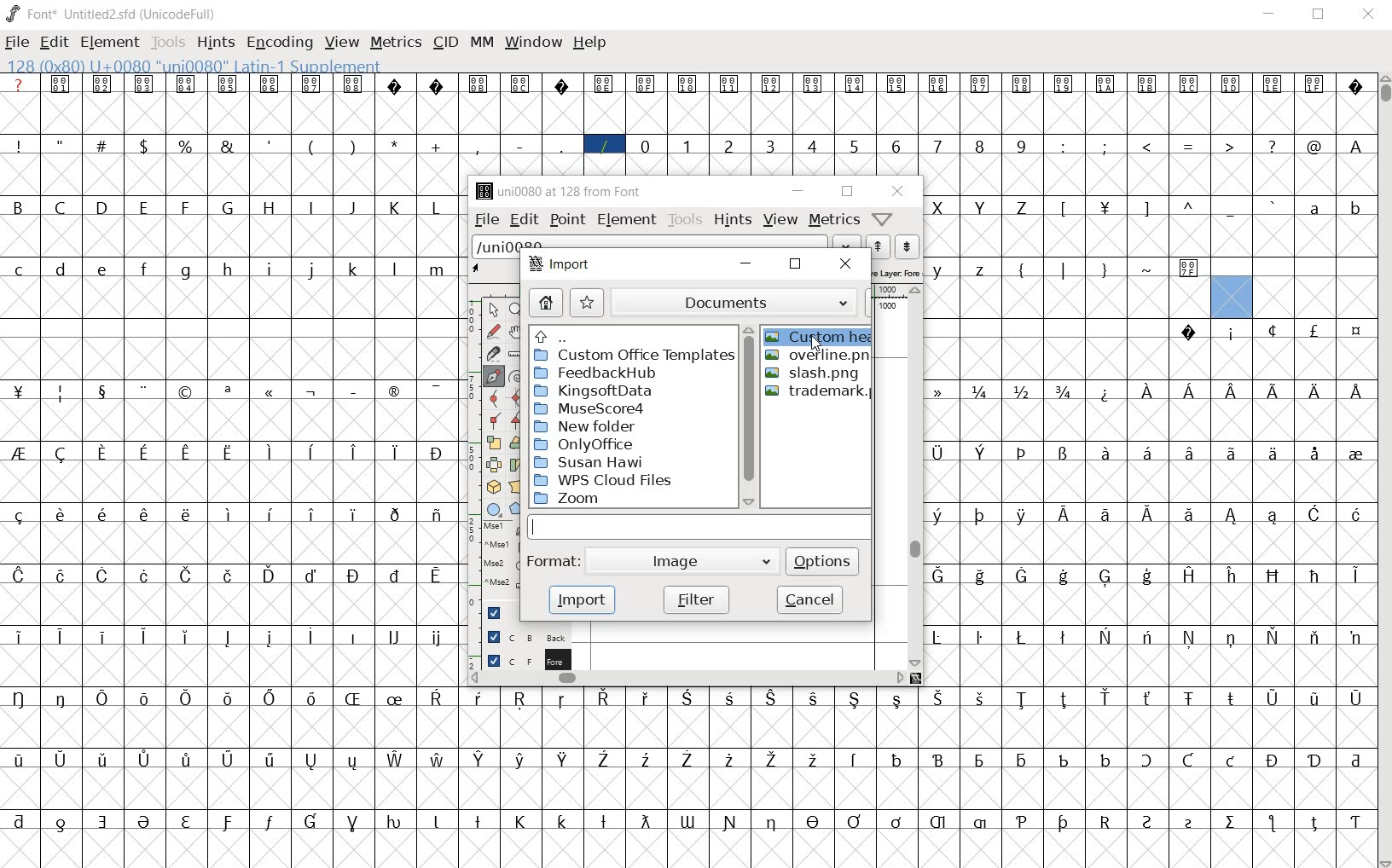 The width and height of the screenshot is (1392, 868). Describe the element at coordinates (1188, 333) in the screenshot. I see `glyph` at that location.